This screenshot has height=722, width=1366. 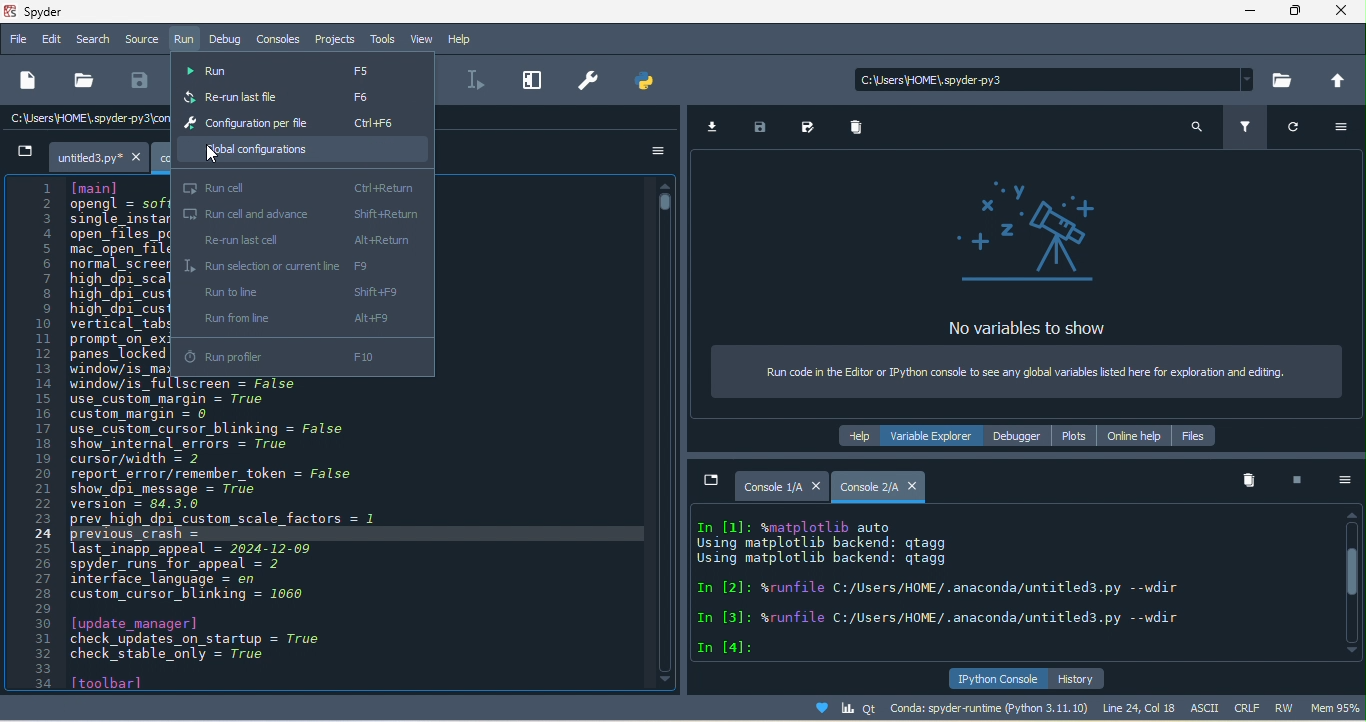 What do you see at coordinates (336, 40) in the screenshot?
I see `projects` at bounding box center [336, 40].